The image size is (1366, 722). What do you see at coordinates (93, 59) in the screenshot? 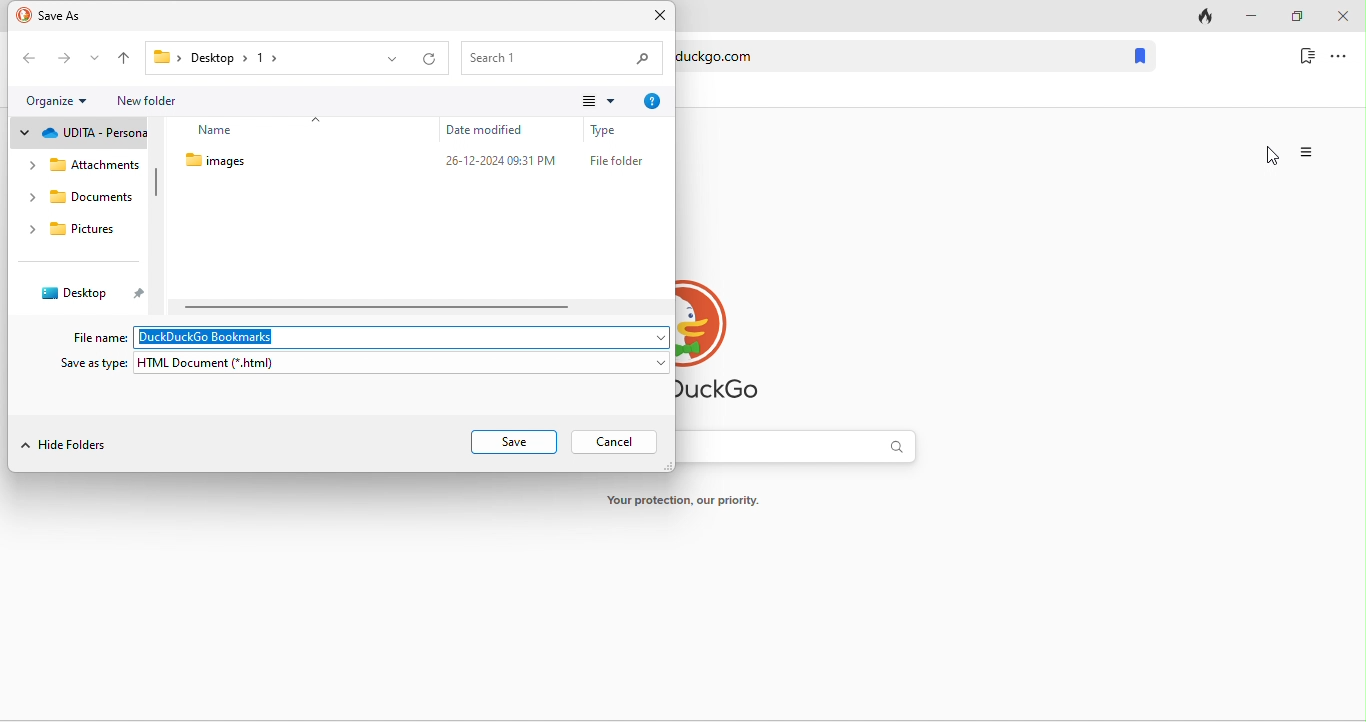
I see `recent location` at bounding box center [93, 59].